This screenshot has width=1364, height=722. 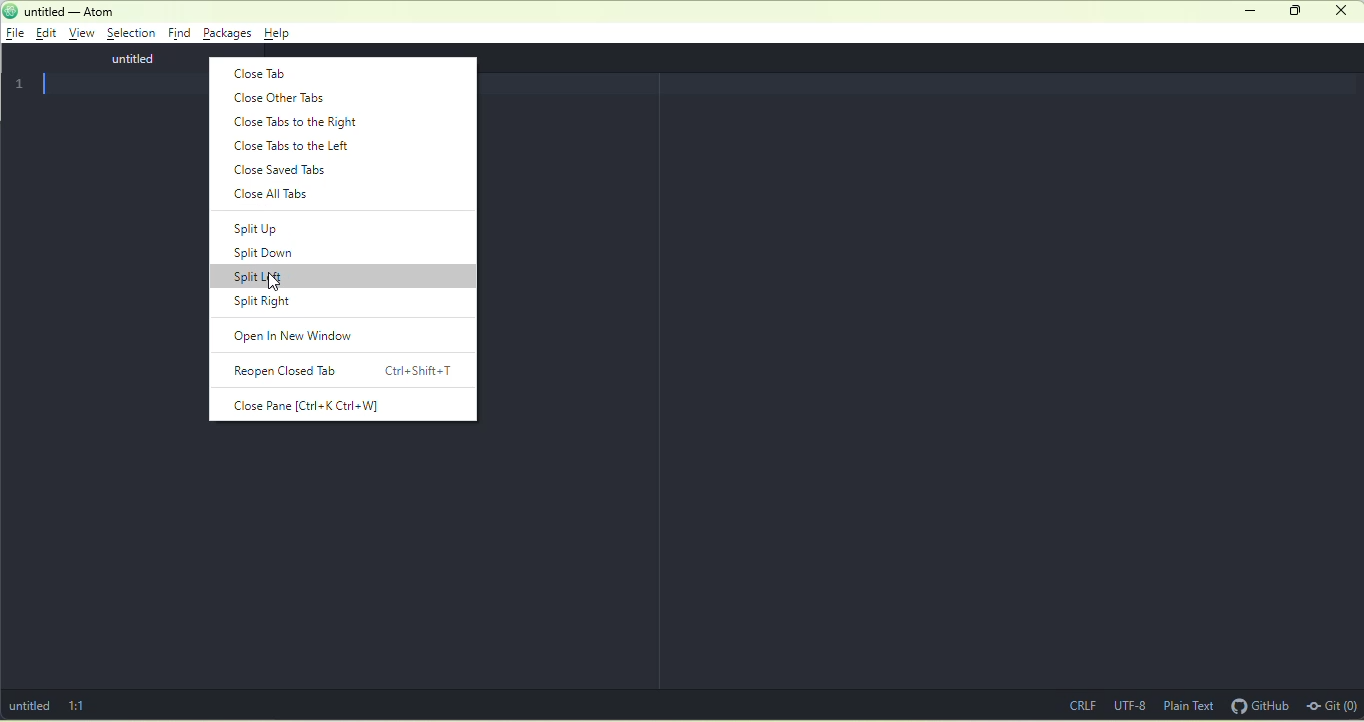 What do you see at coordinates (23, 84) in the screenshot?
I see `1` at bounding box center [23, 84].